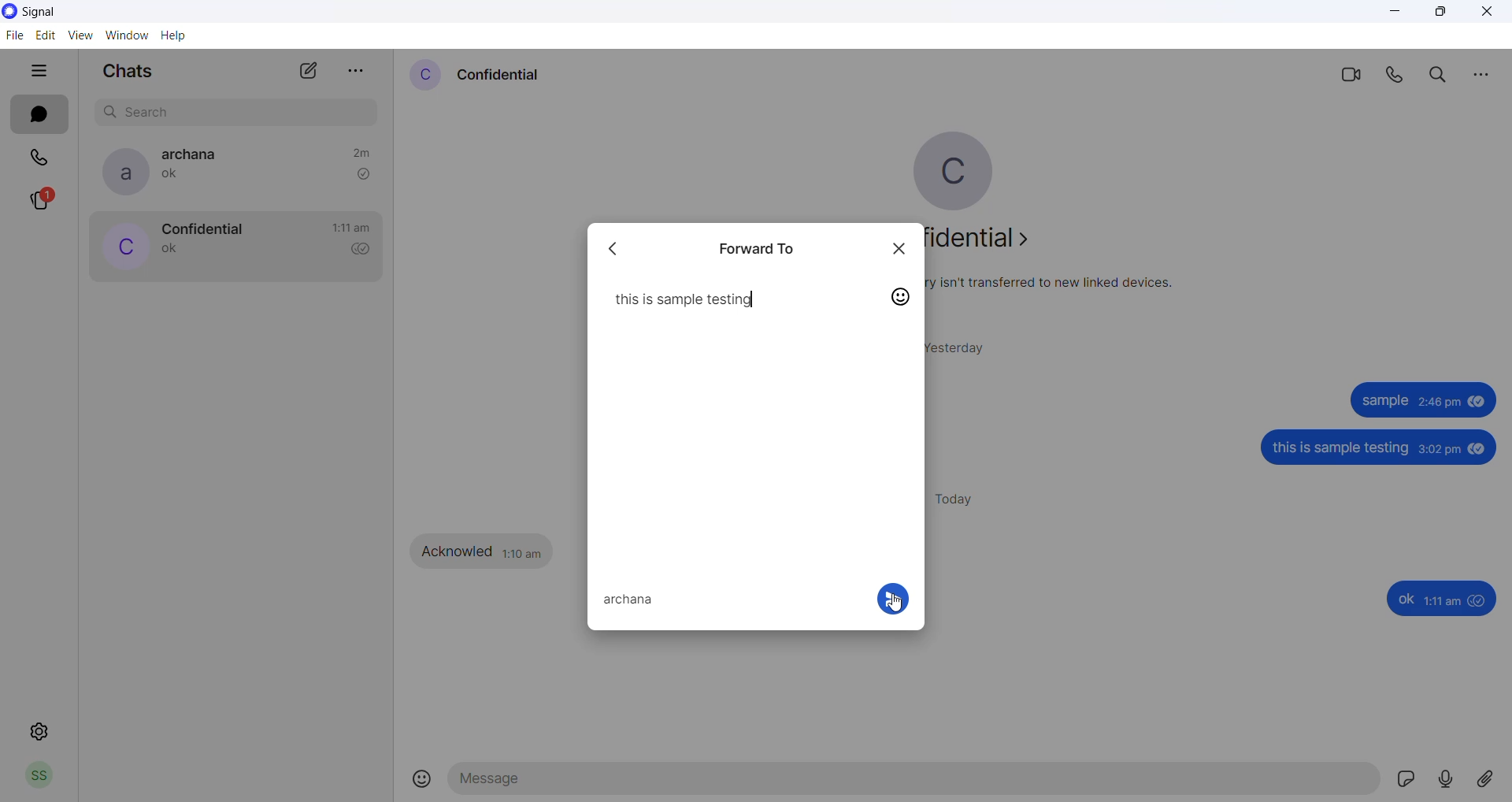 This screenshot has width=1512, height=802. I want to click on security related text, so click(1060, 284).